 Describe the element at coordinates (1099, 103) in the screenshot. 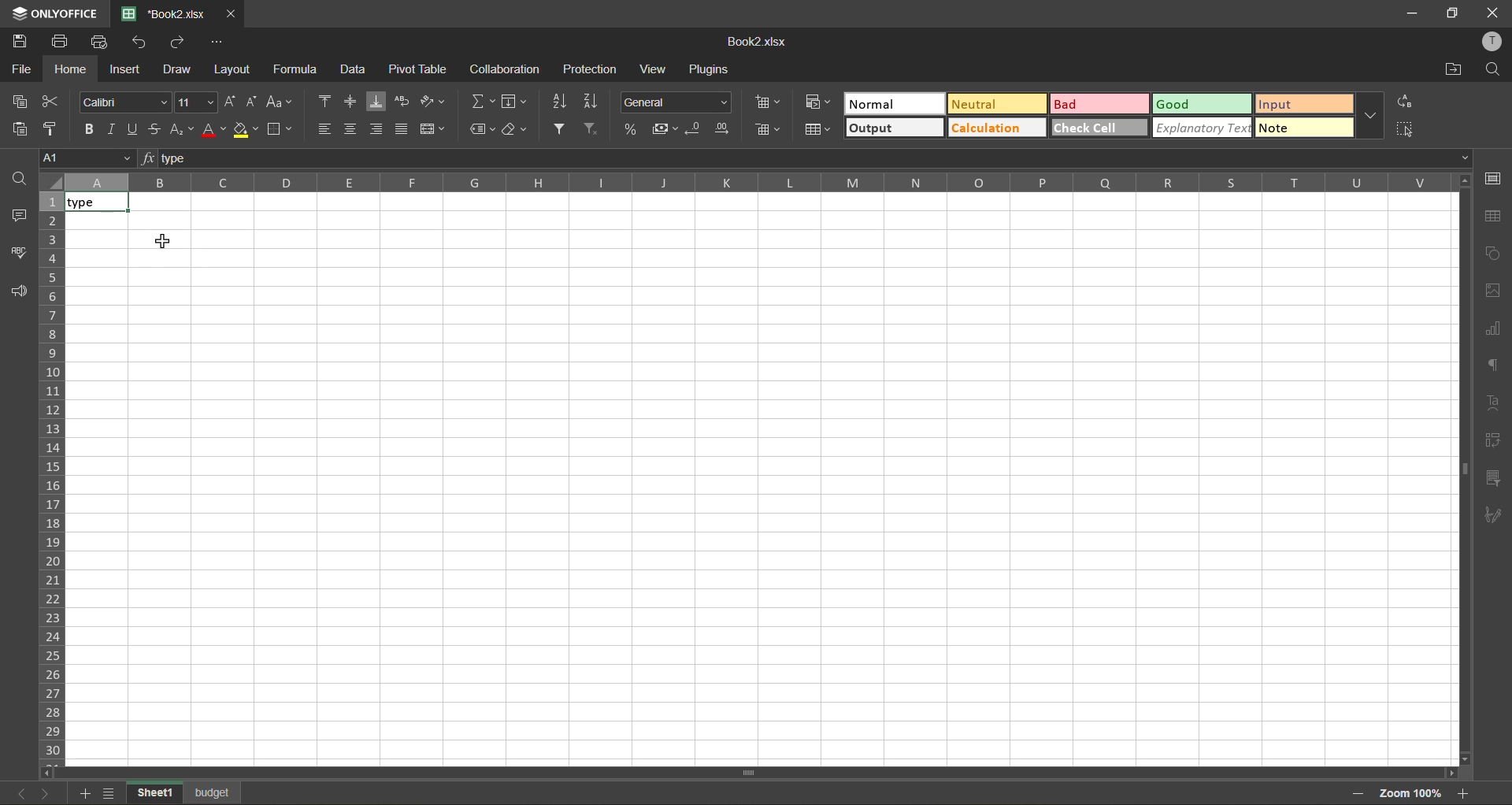

I see `bad` at that location.